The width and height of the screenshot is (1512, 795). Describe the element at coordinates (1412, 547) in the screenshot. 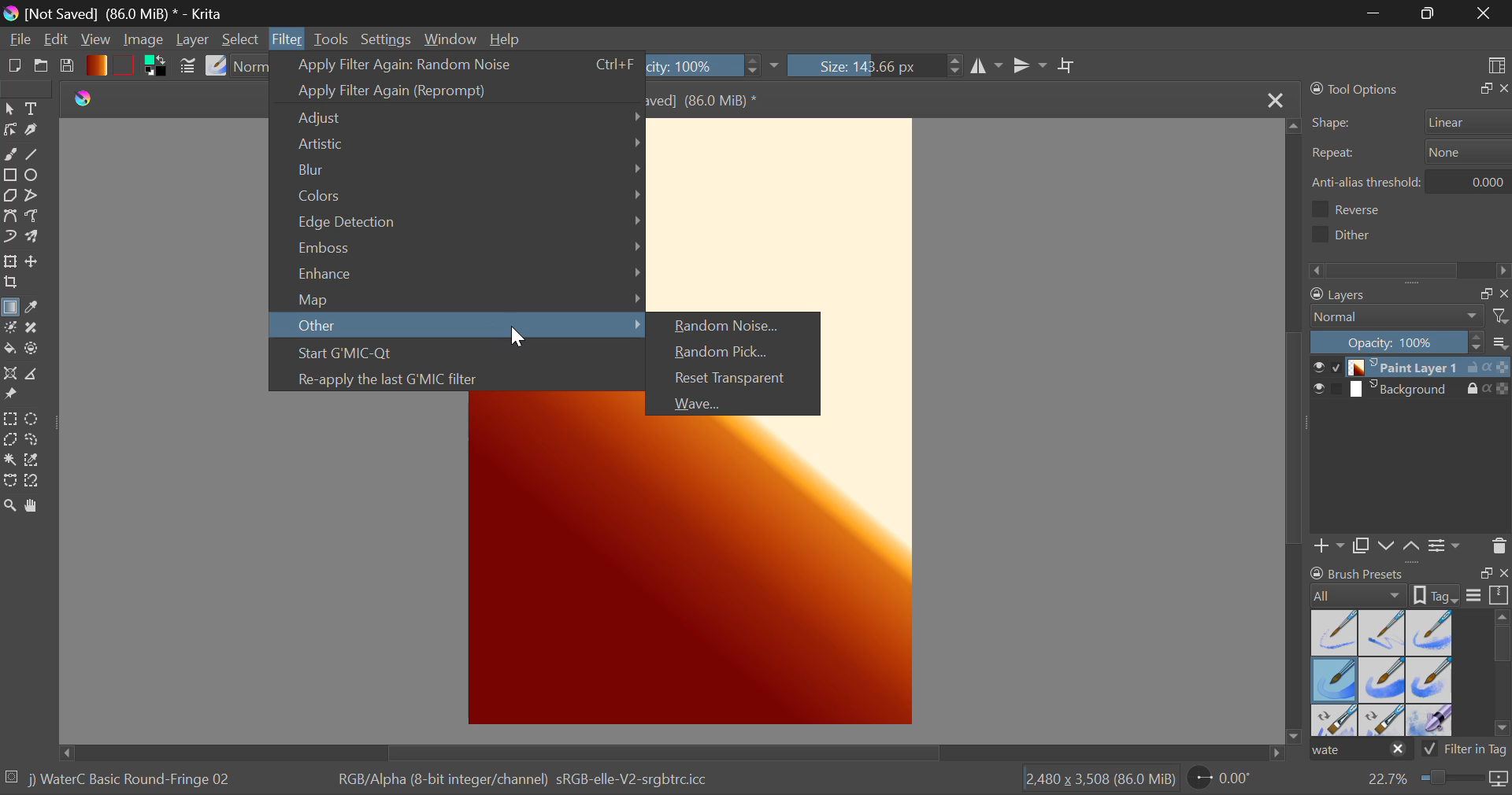

I see `move up` at that location.